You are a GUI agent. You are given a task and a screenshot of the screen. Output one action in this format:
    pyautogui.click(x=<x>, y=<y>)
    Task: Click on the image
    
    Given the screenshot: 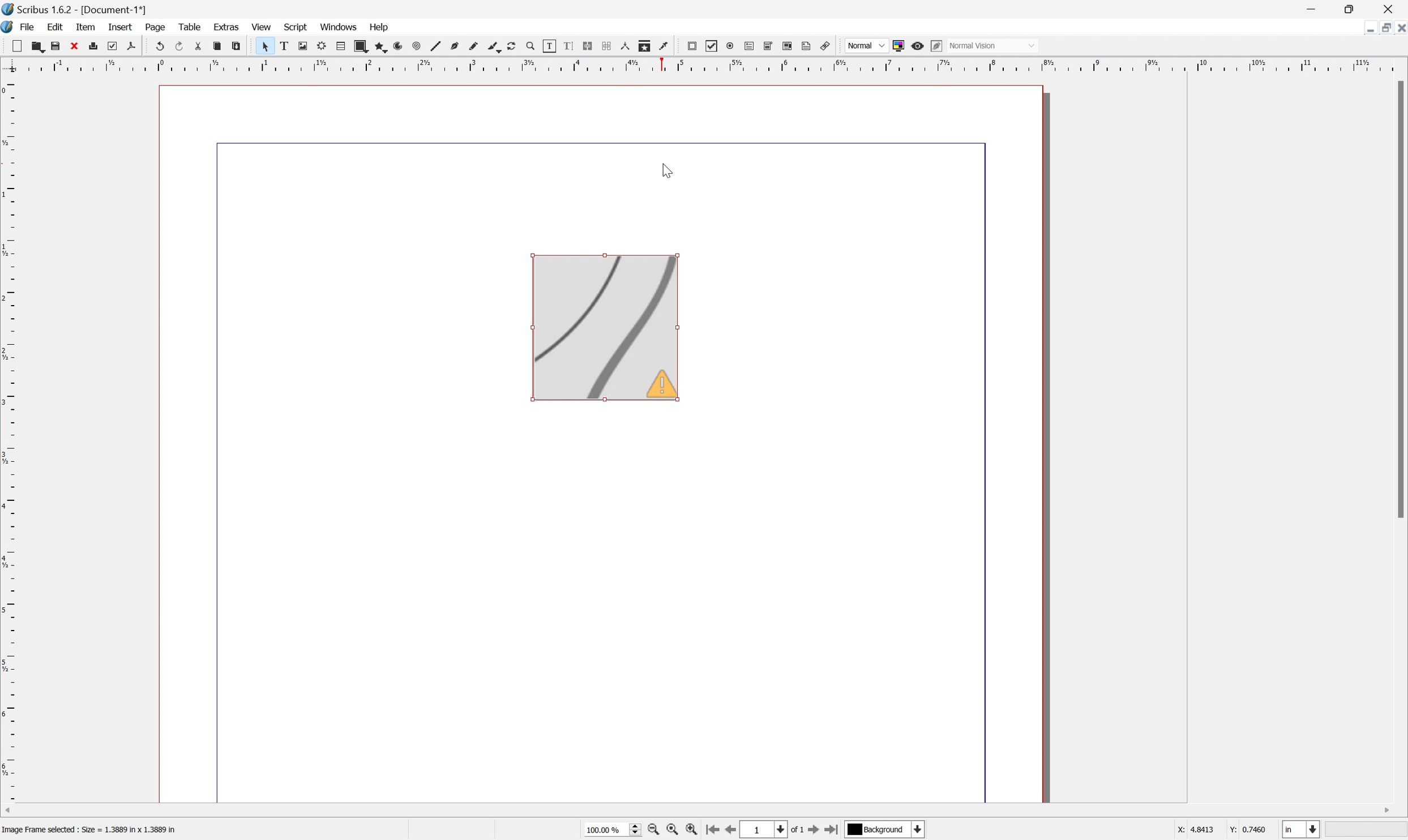 What is the action you would take?
    pyautogui.click(x=606, y=328)
    